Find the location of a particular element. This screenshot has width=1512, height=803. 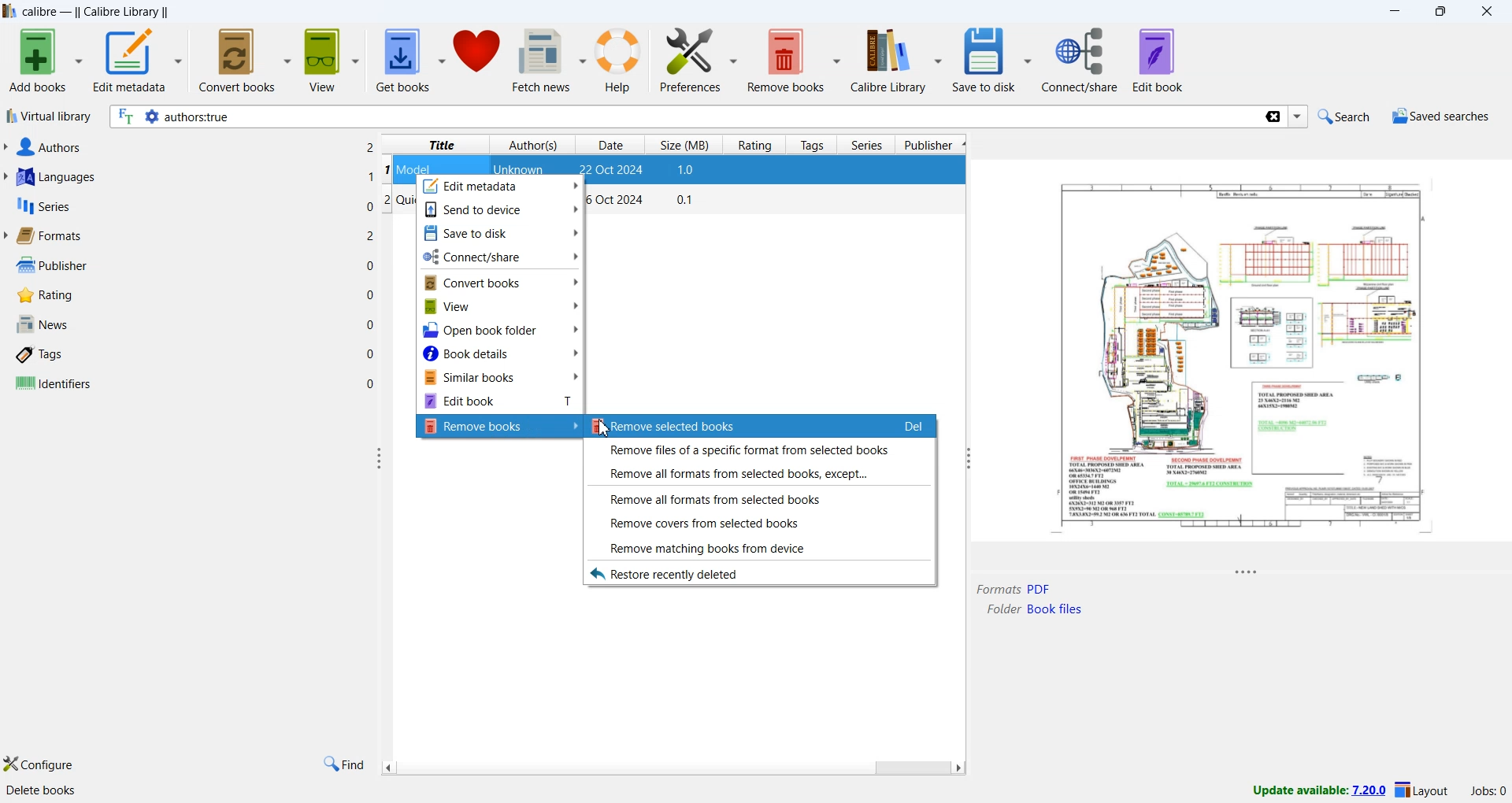

size is located at coordinates (687, 171).